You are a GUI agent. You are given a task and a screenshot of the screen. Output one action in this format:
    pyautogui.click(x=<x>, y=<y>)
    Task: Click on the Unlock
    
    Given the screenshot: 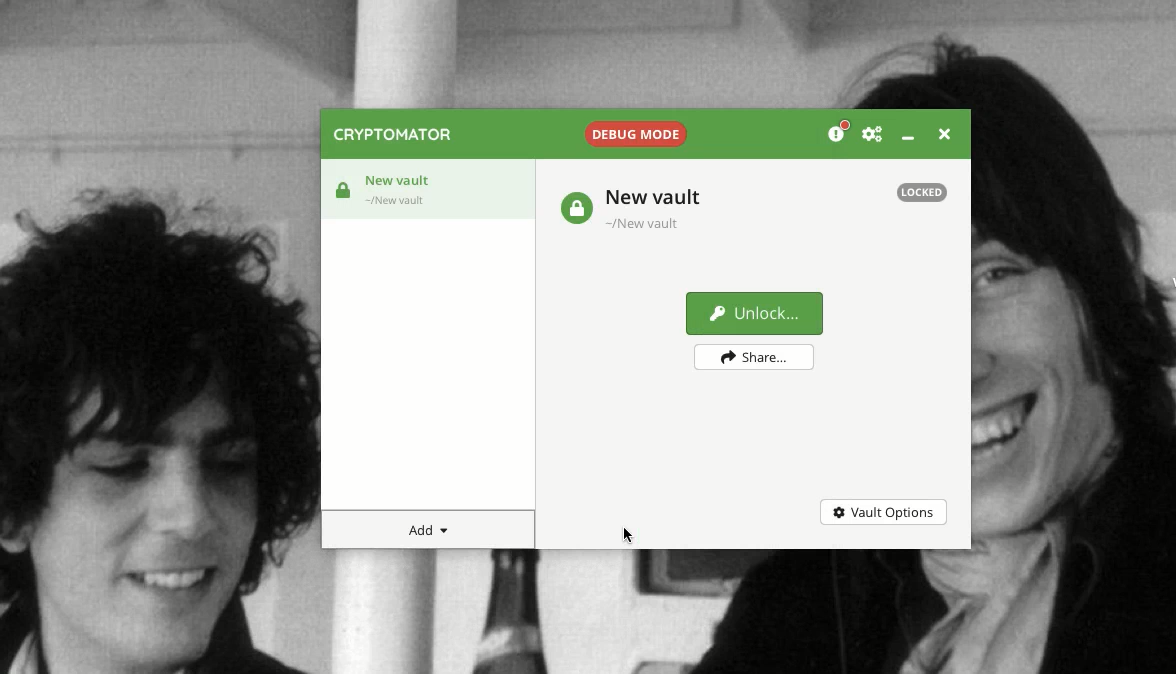 What is the action you would take?
    pyautogui.click(x=754, y=315)
    